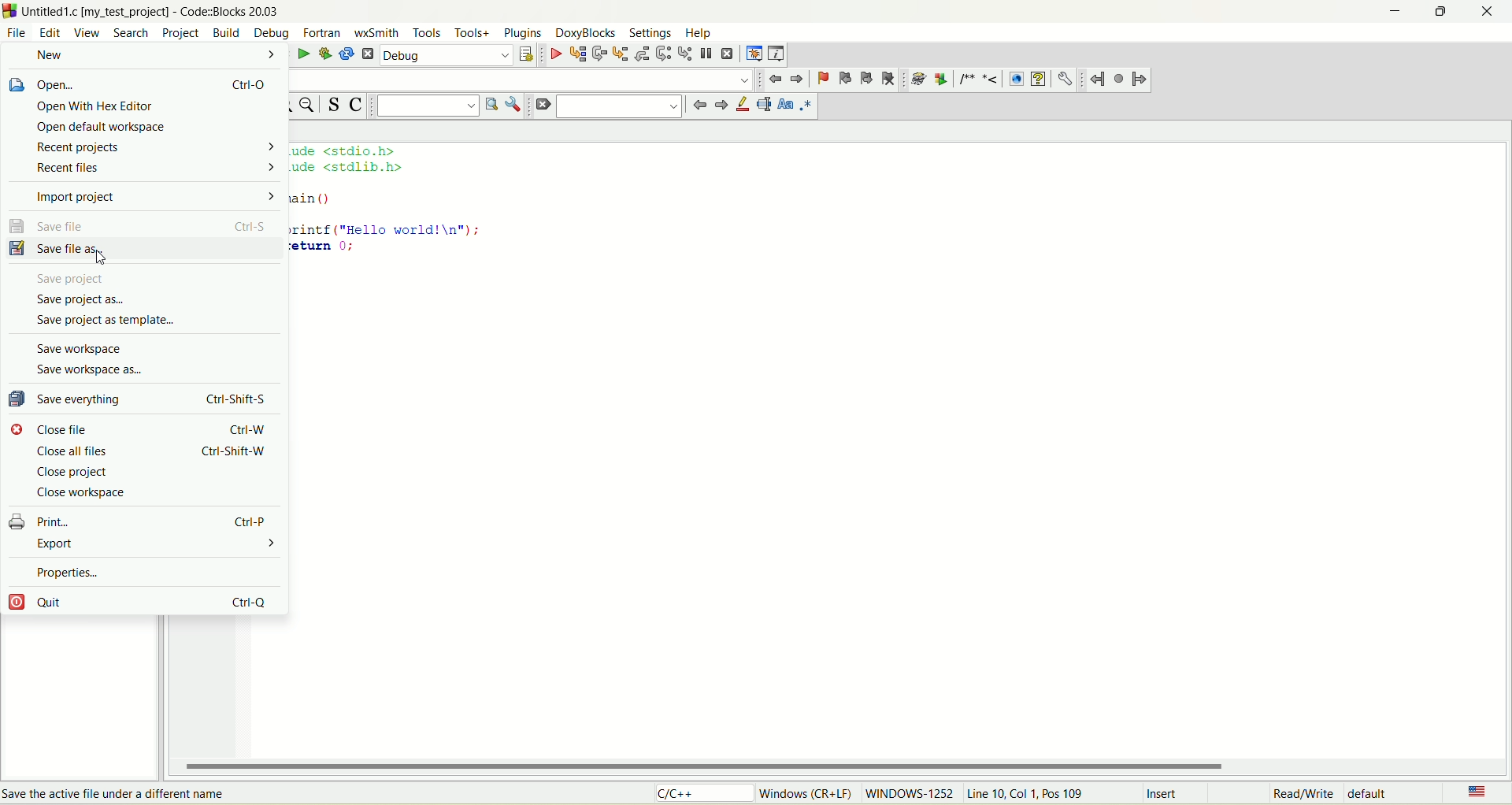 Image resolution: width=1512 pixels, height=805 pixels. I want to click on tools, so click(427, 33).